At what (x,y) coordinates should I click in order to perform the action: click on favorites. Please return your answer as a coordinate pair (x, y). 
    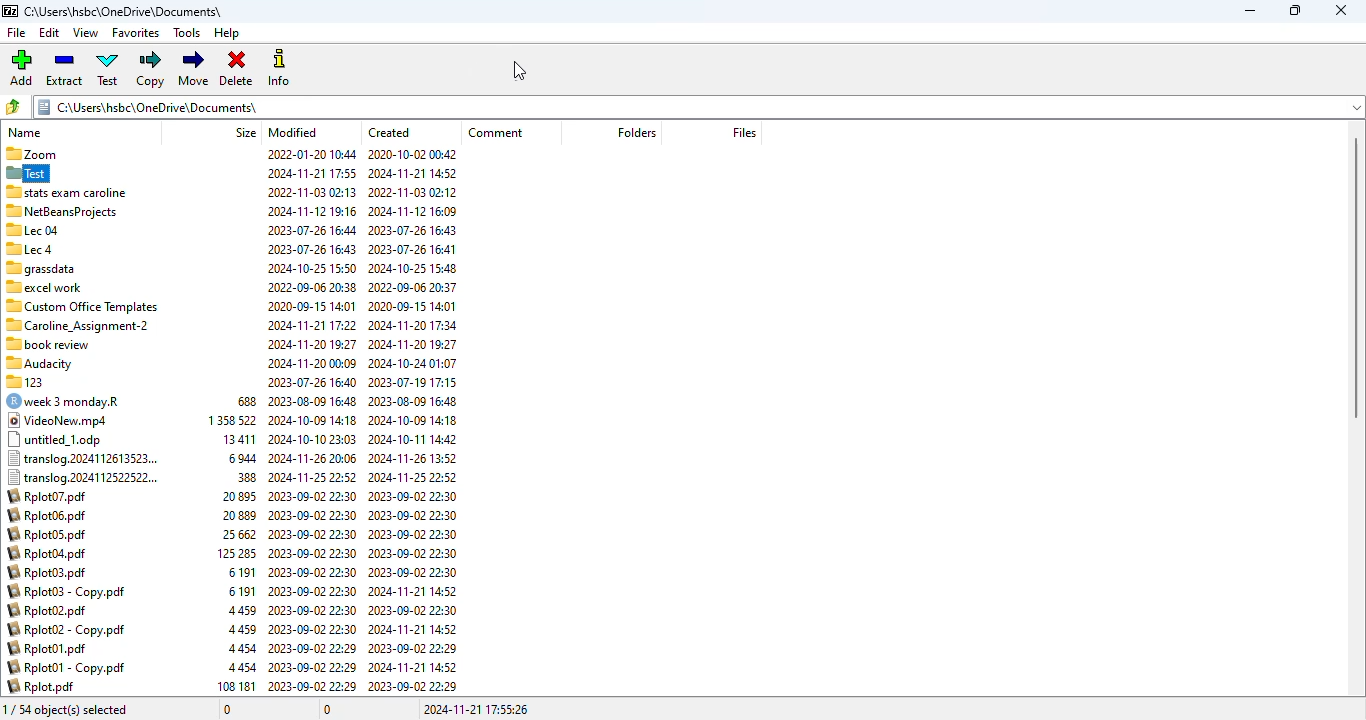
    Looking at the image, I should click on (135, 33).